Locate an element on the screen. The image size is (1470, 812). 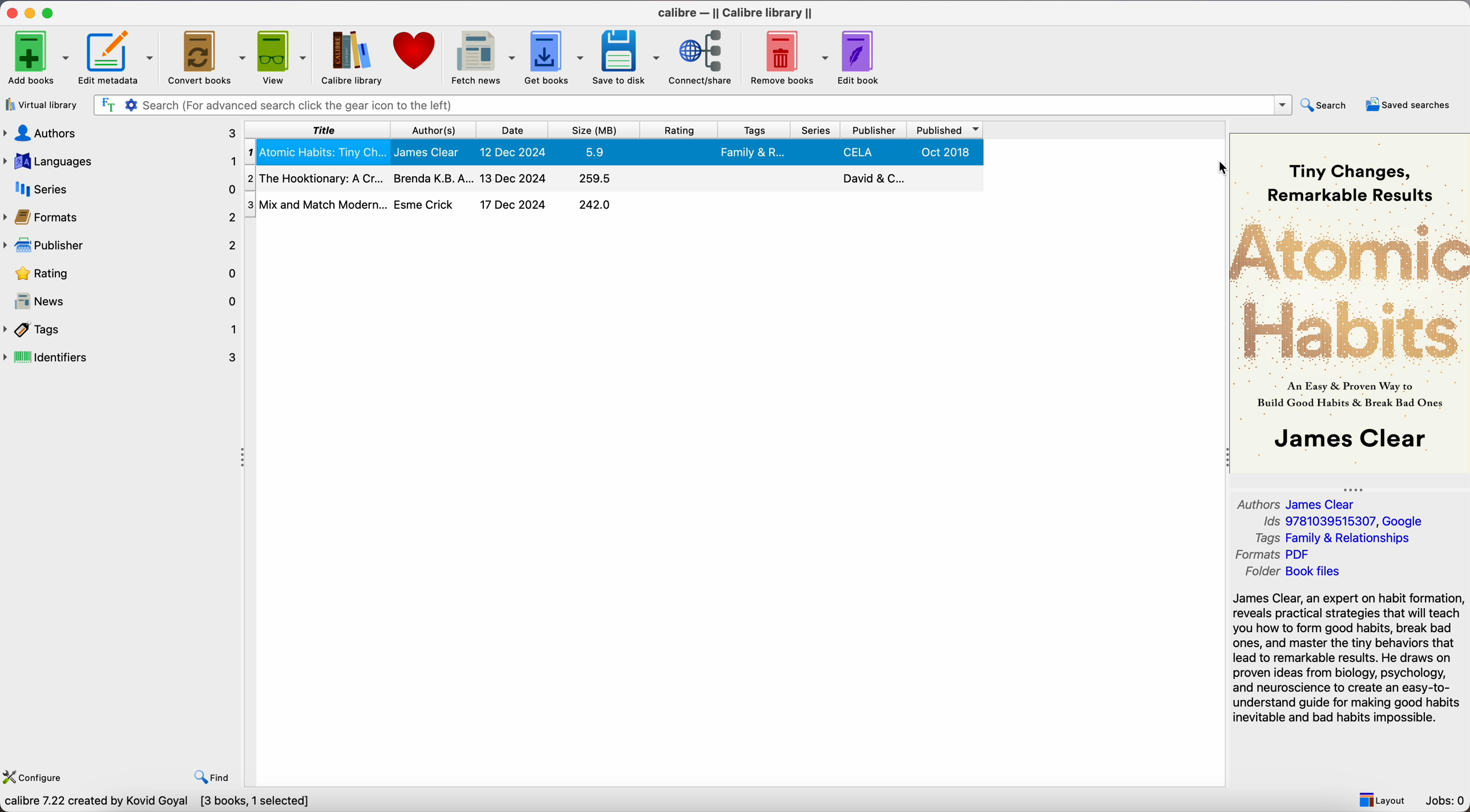
virtual library is located at coordinates (42, 104).